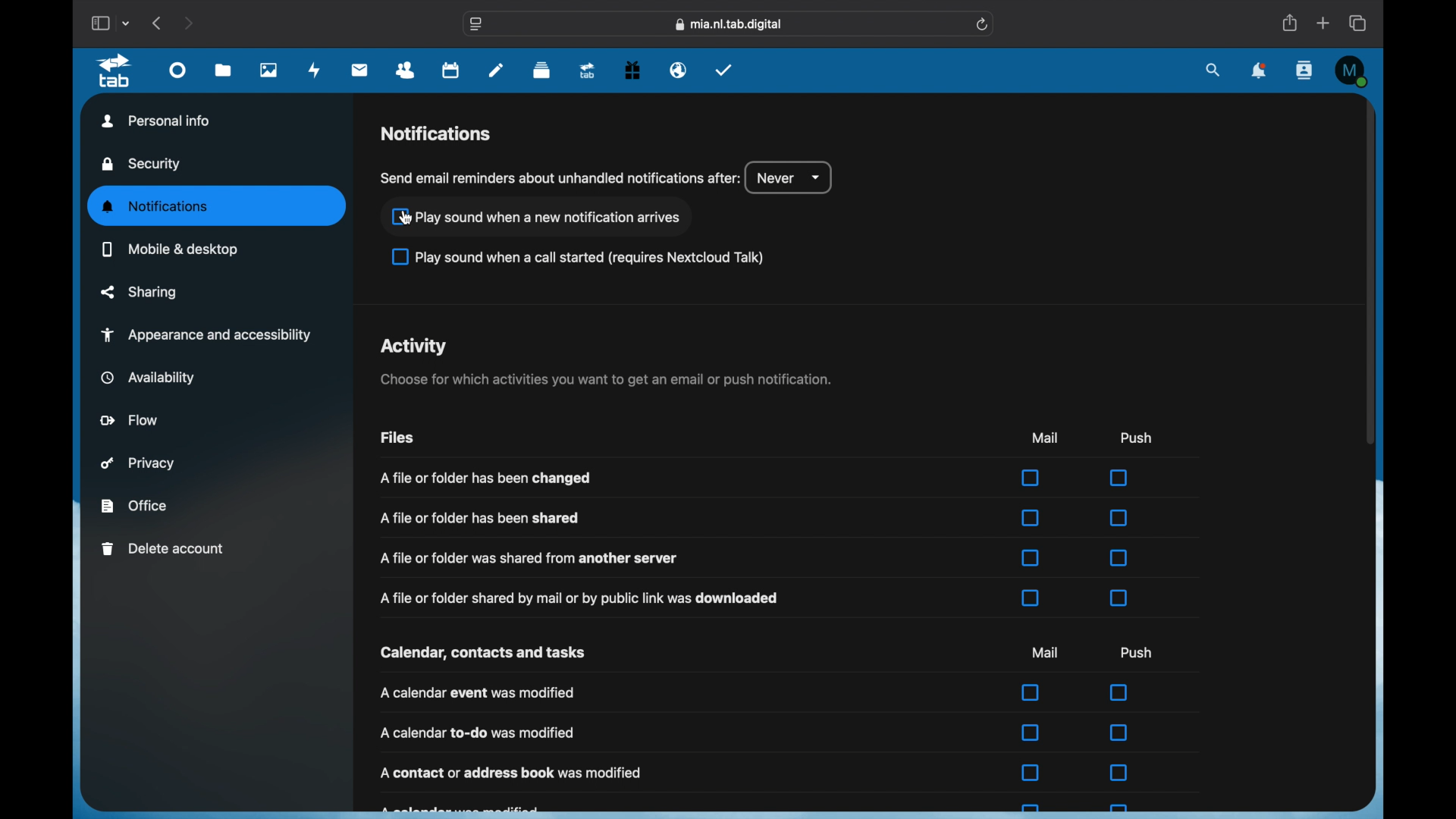 The image size is (1456, 819). I want to click on checkbox, so click(1119, 692).